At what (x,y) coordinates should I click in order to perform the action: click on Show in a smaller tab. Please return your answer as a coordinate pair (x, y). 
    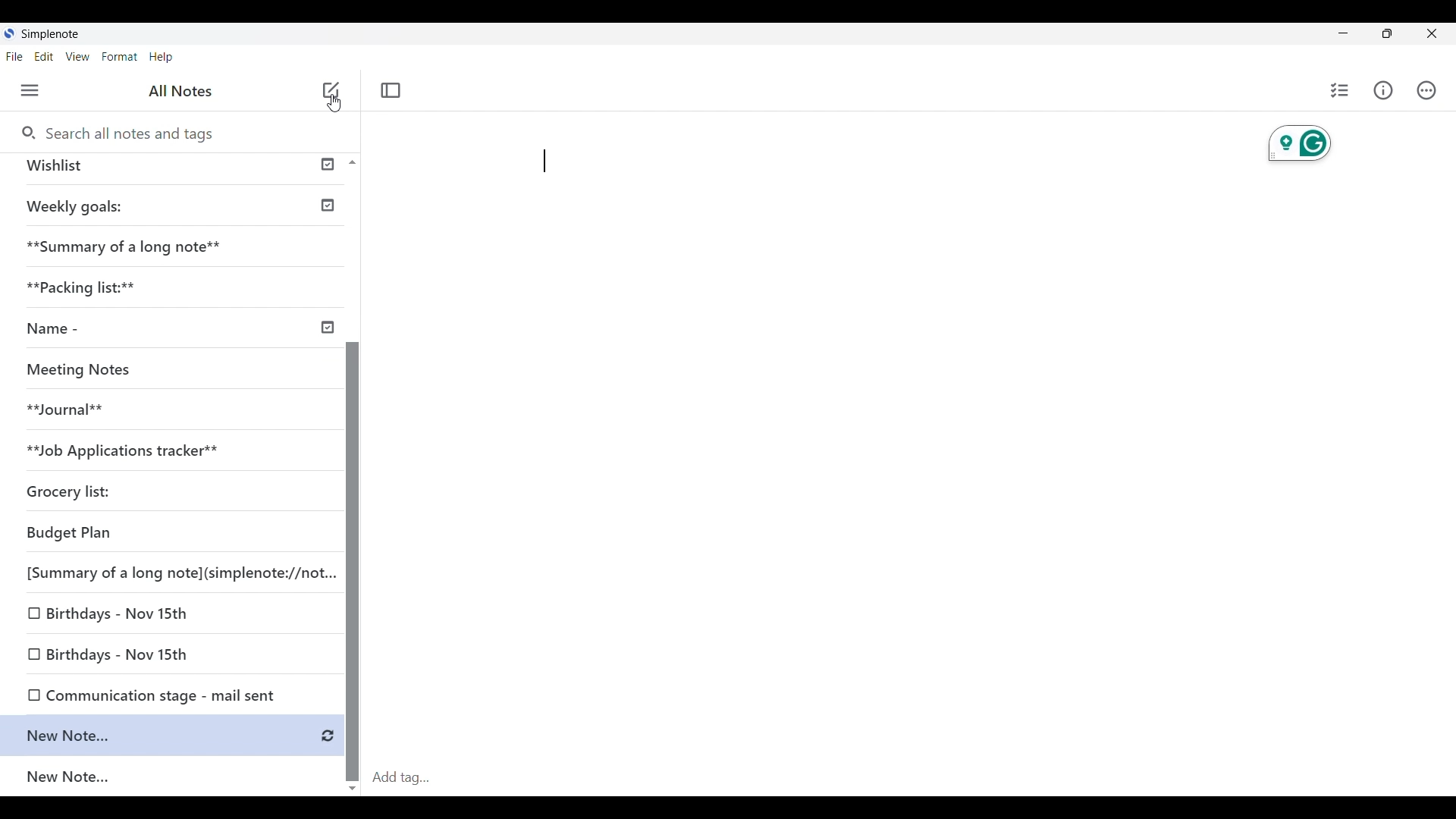
    Looking at the image, I should click on (1387, 33).